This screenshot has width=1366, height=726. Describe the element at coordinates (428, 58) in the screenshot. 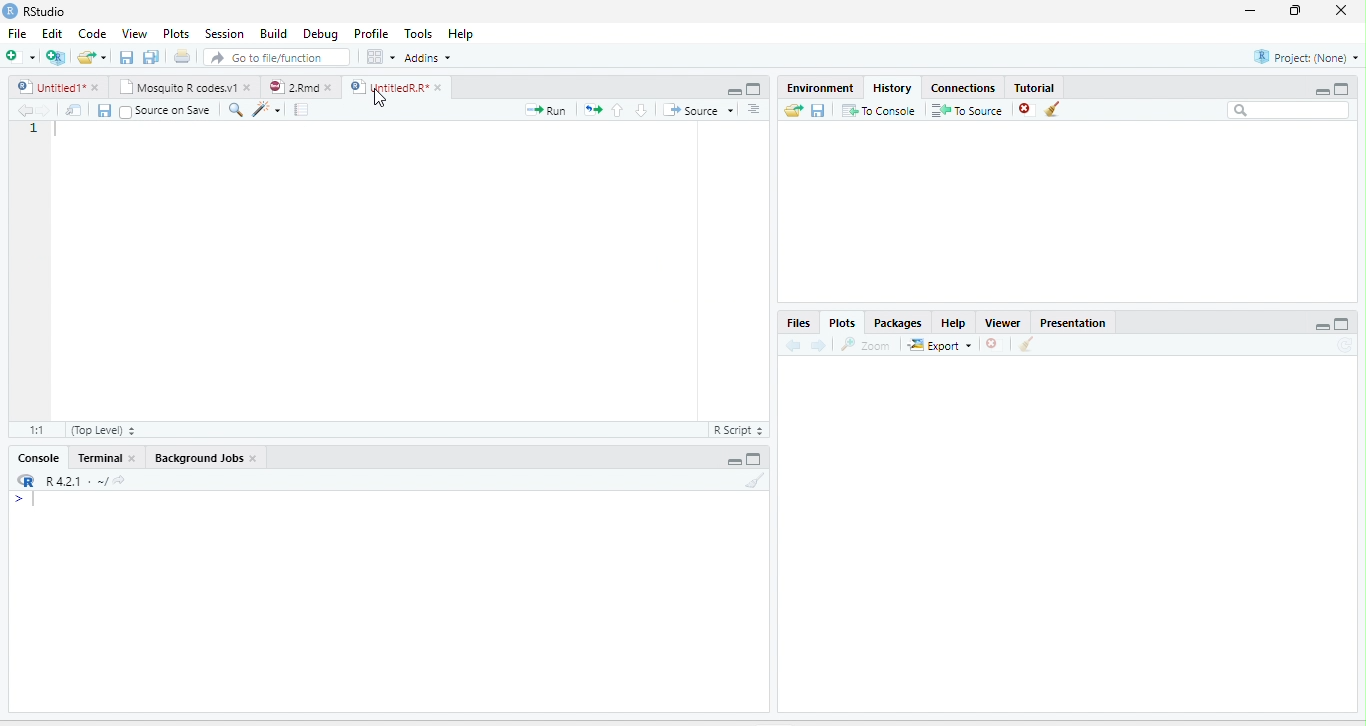

I see `Addins` at that location.